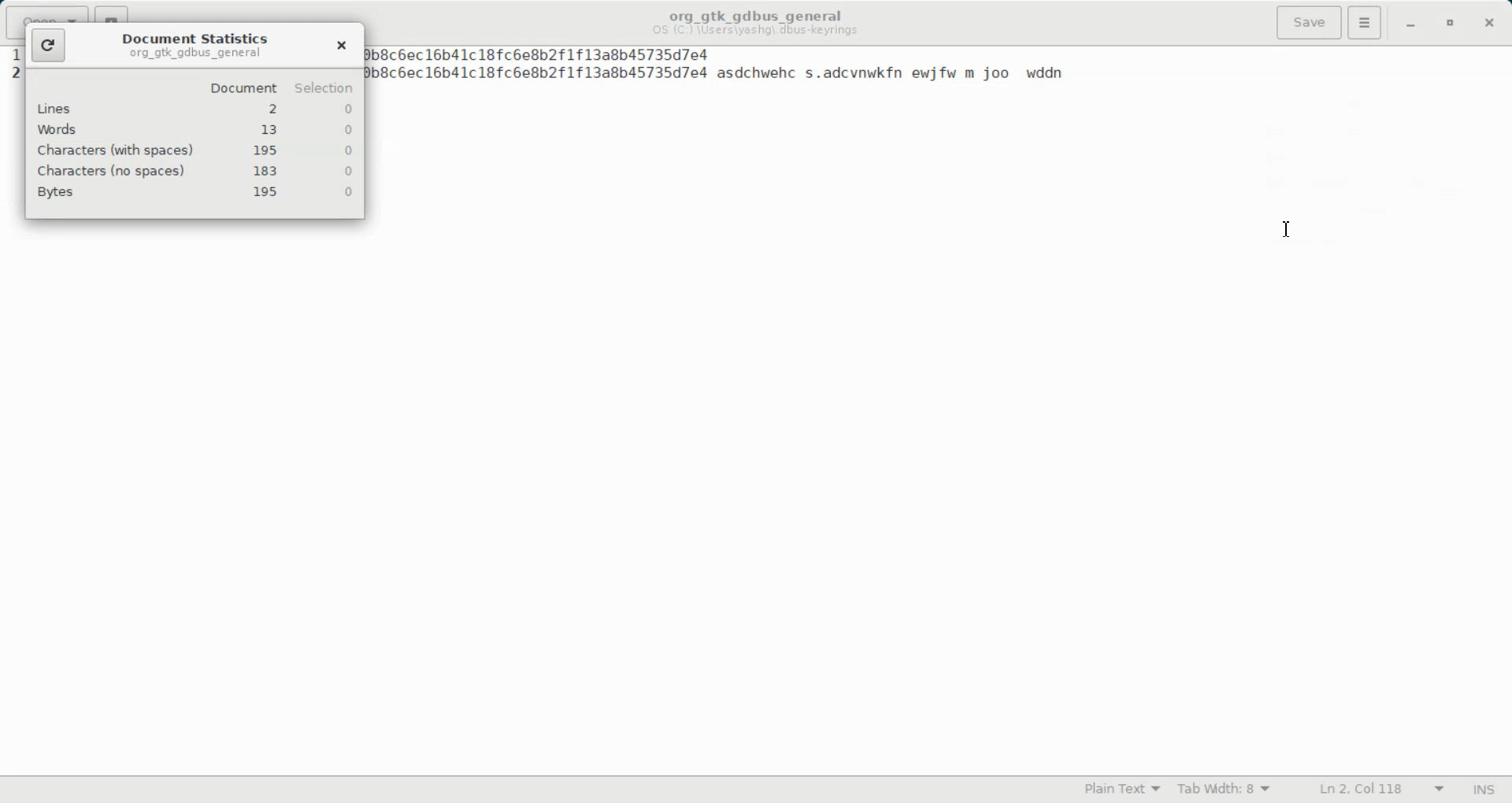 This screenshot has height=803, width=1512. I want to click on INS, so click(1484, 790).